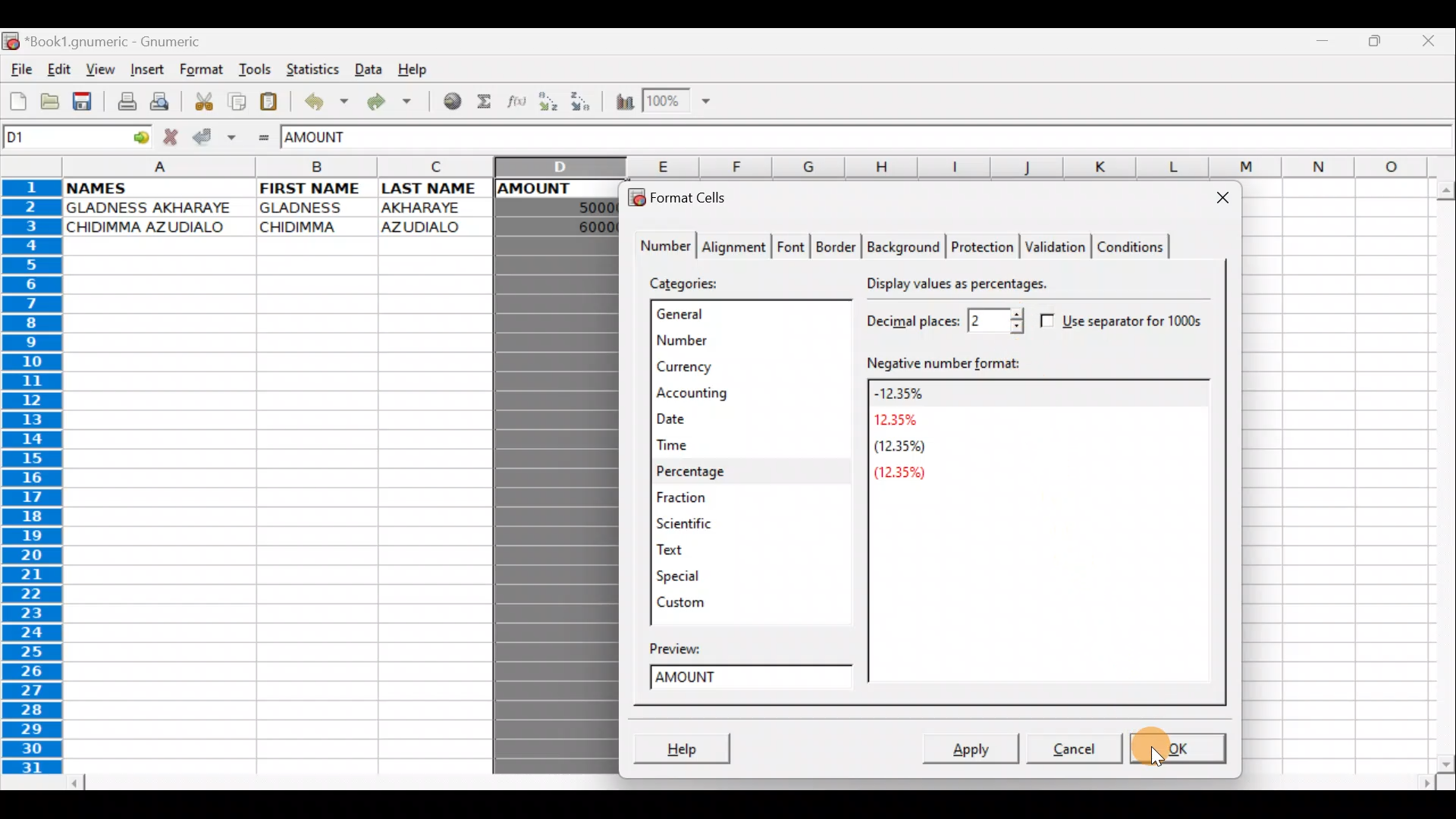 The height and width of the screenshot is (819, 1456). I want to click on Border, so click(839, 245).